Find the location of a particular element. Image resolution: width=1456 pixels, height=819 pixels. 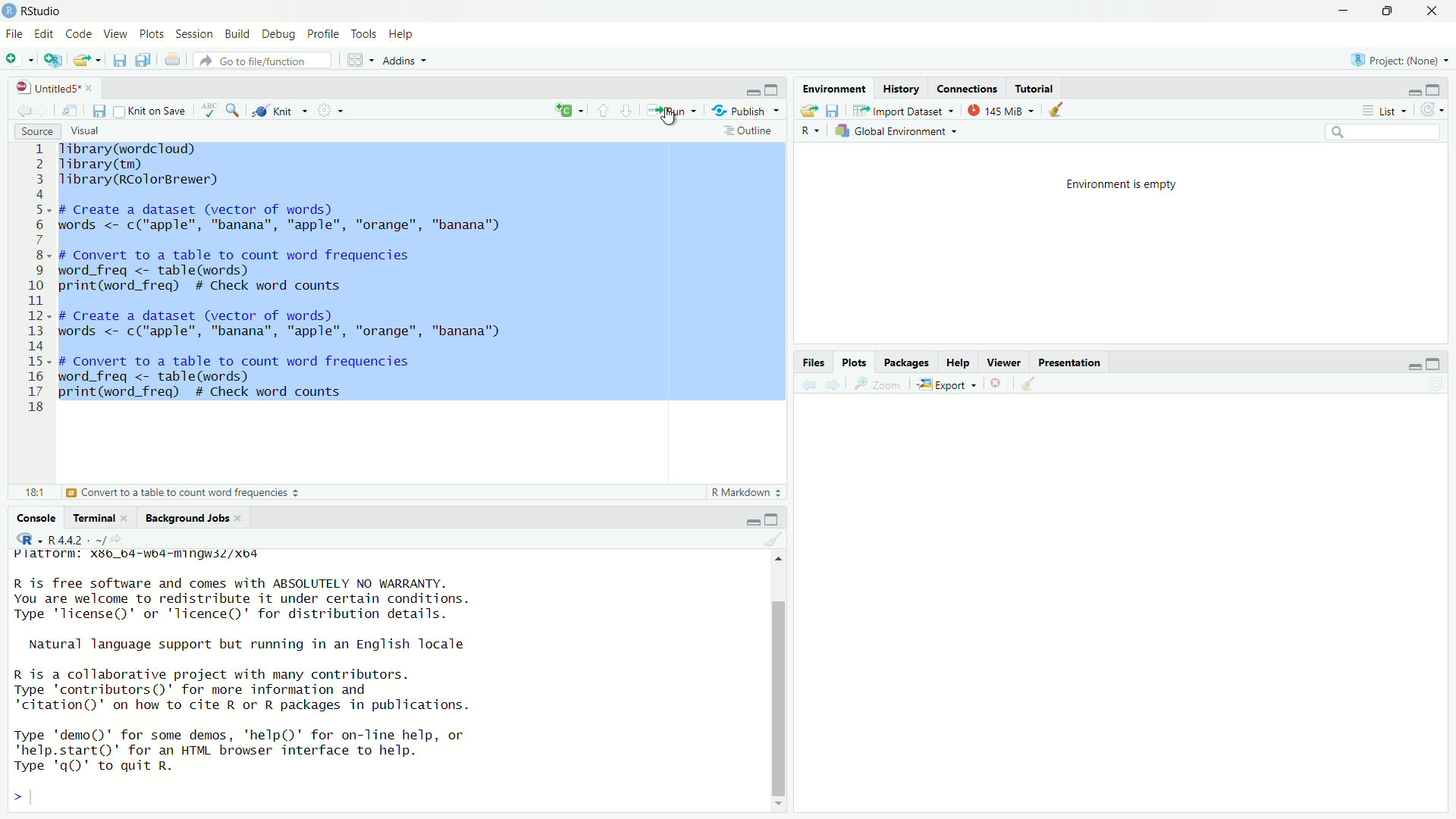

Presentation is located at coordinates (1069, 361).